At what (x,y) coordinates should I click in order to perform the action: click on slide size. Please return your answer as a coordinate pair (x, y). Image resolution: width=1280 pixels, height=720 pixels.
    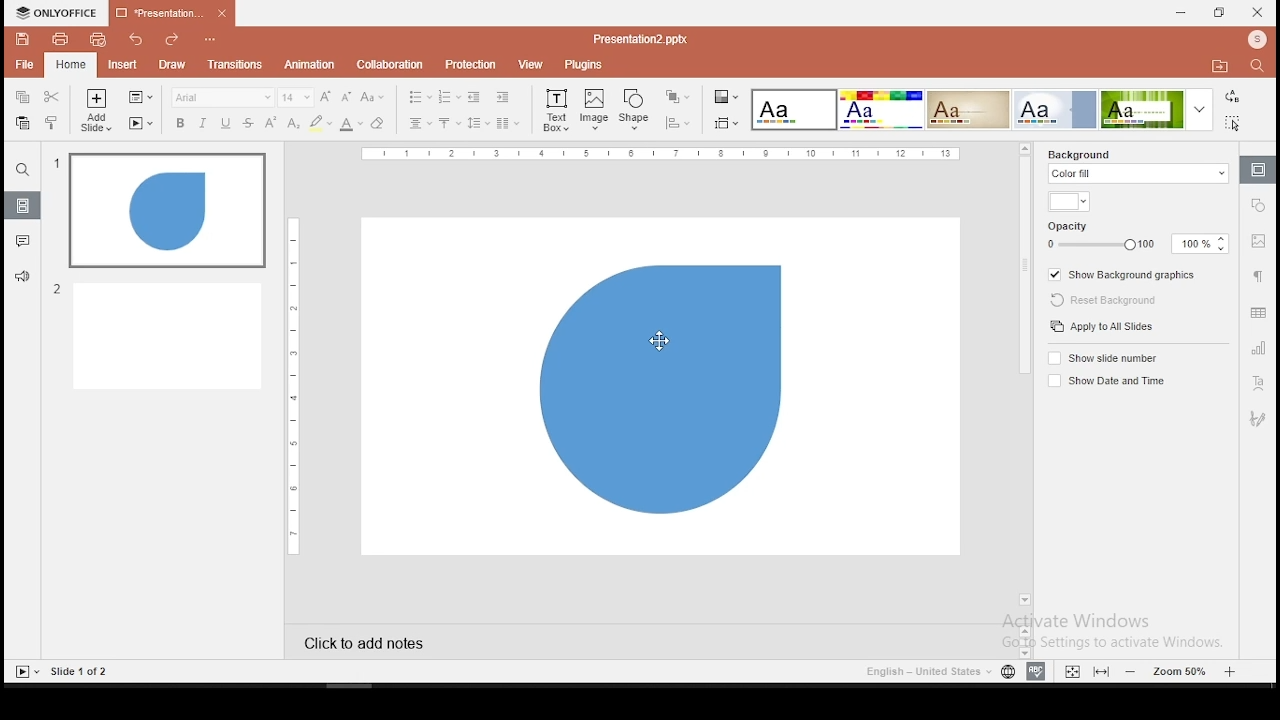
    Looking at the image, I should click on (724, 124).